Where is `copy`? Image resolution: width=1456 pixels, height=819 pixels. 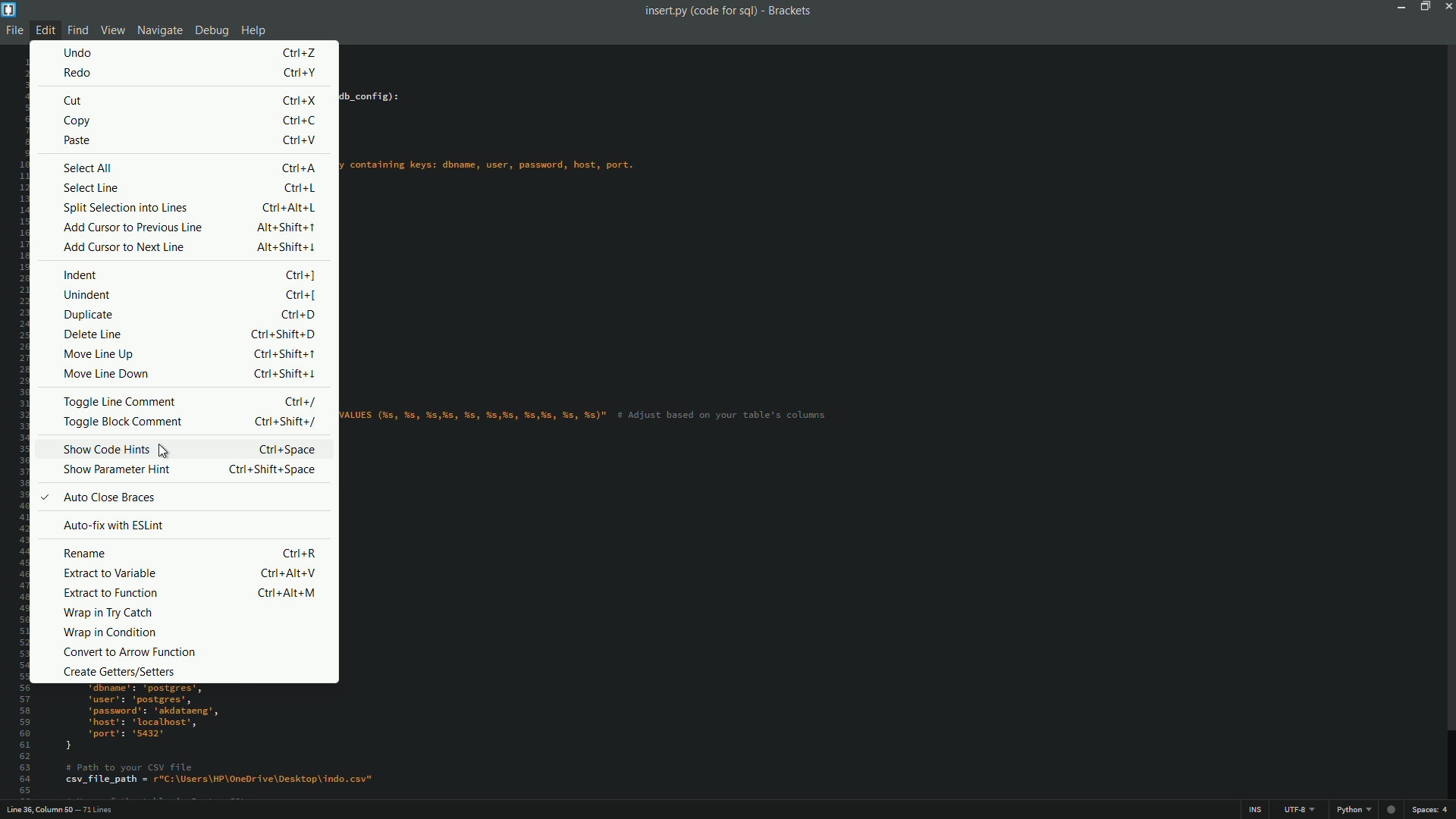
copy is located at coordinates (77, 122).